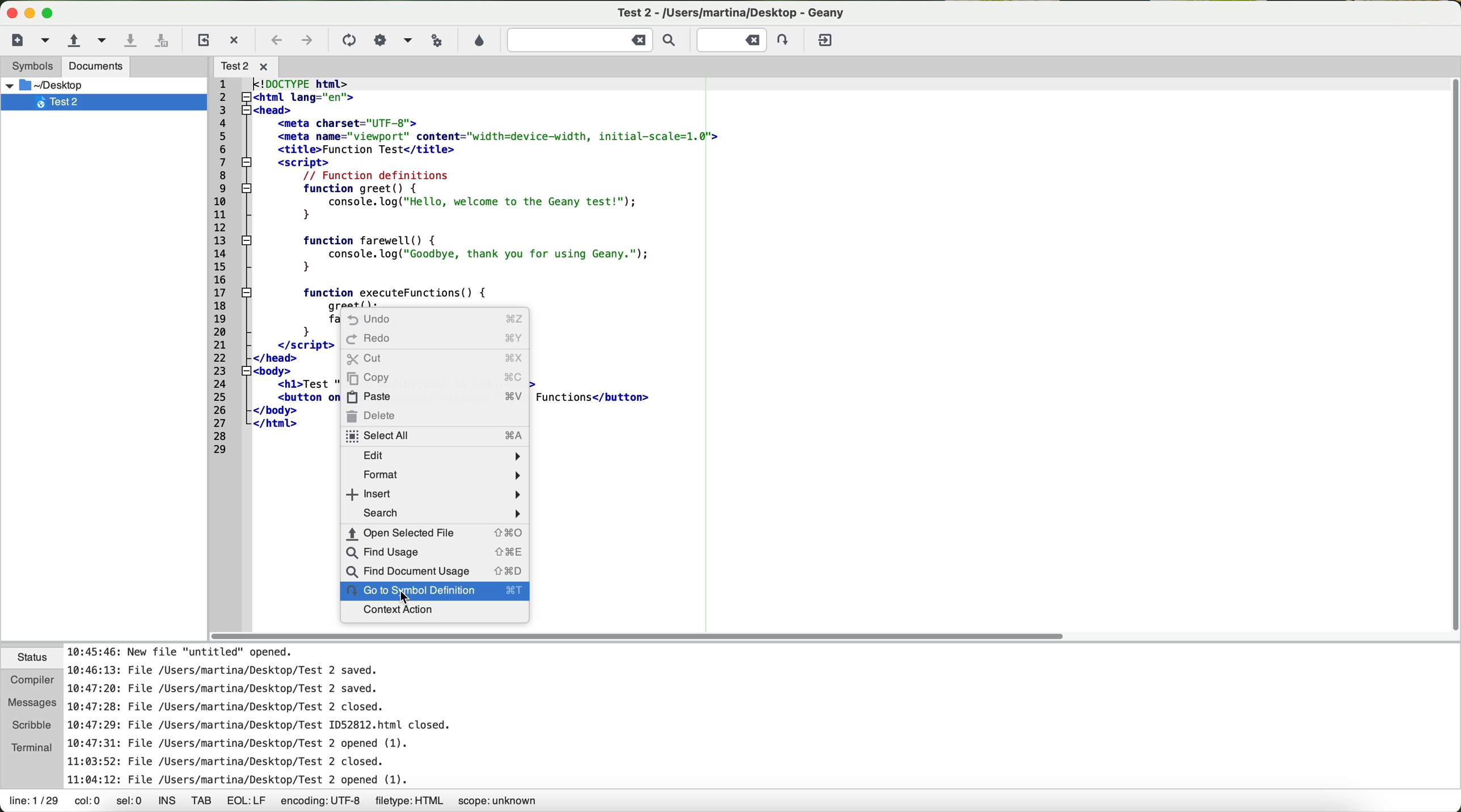 The width and height of the screenshot is (1461, 812). What do you see at coordinates (28, 704) in the screenshot?
I see `messages` at bounding box center [28, 704].